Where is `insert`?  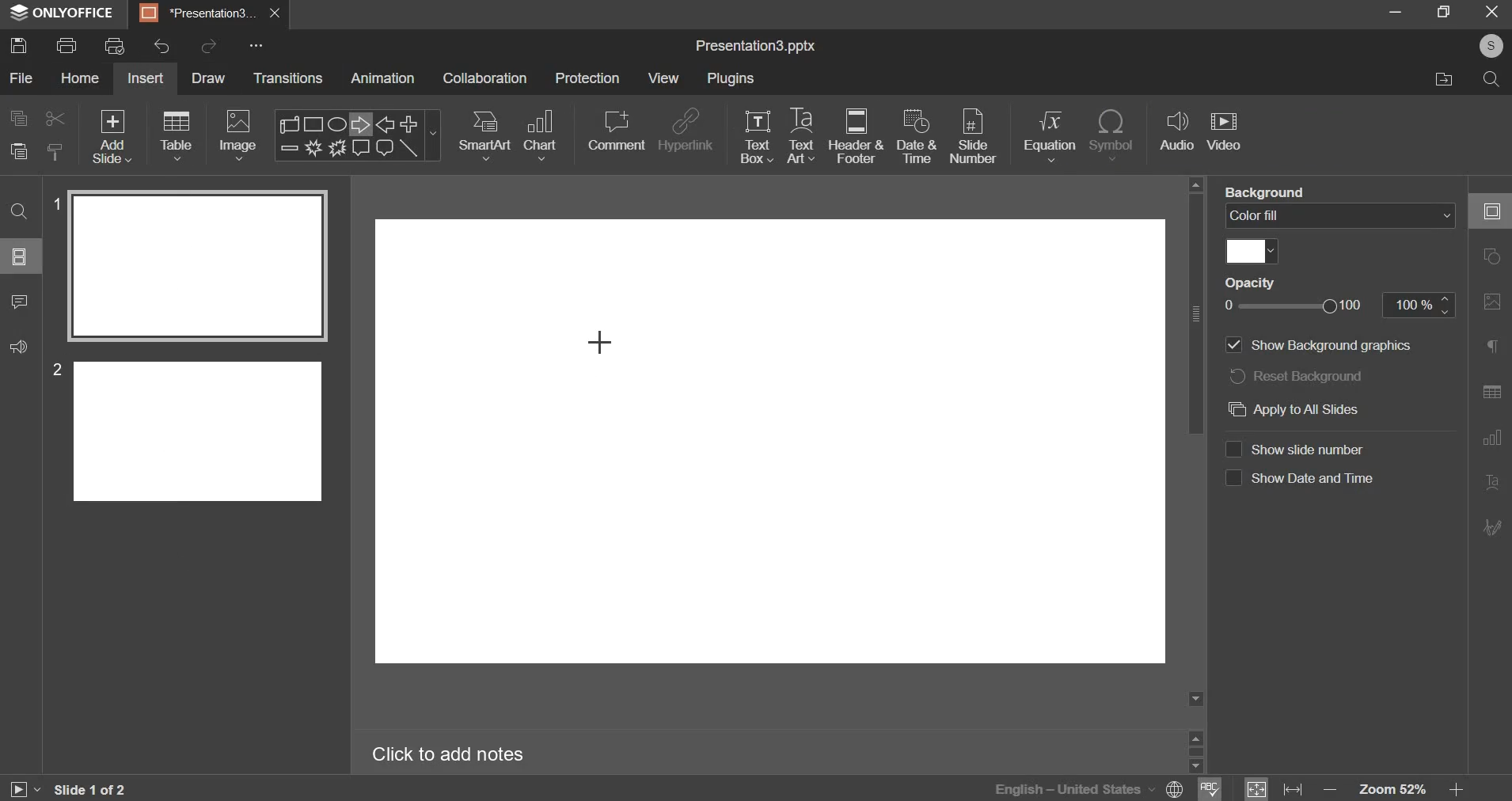
insert is located at coordinates (145, 78).